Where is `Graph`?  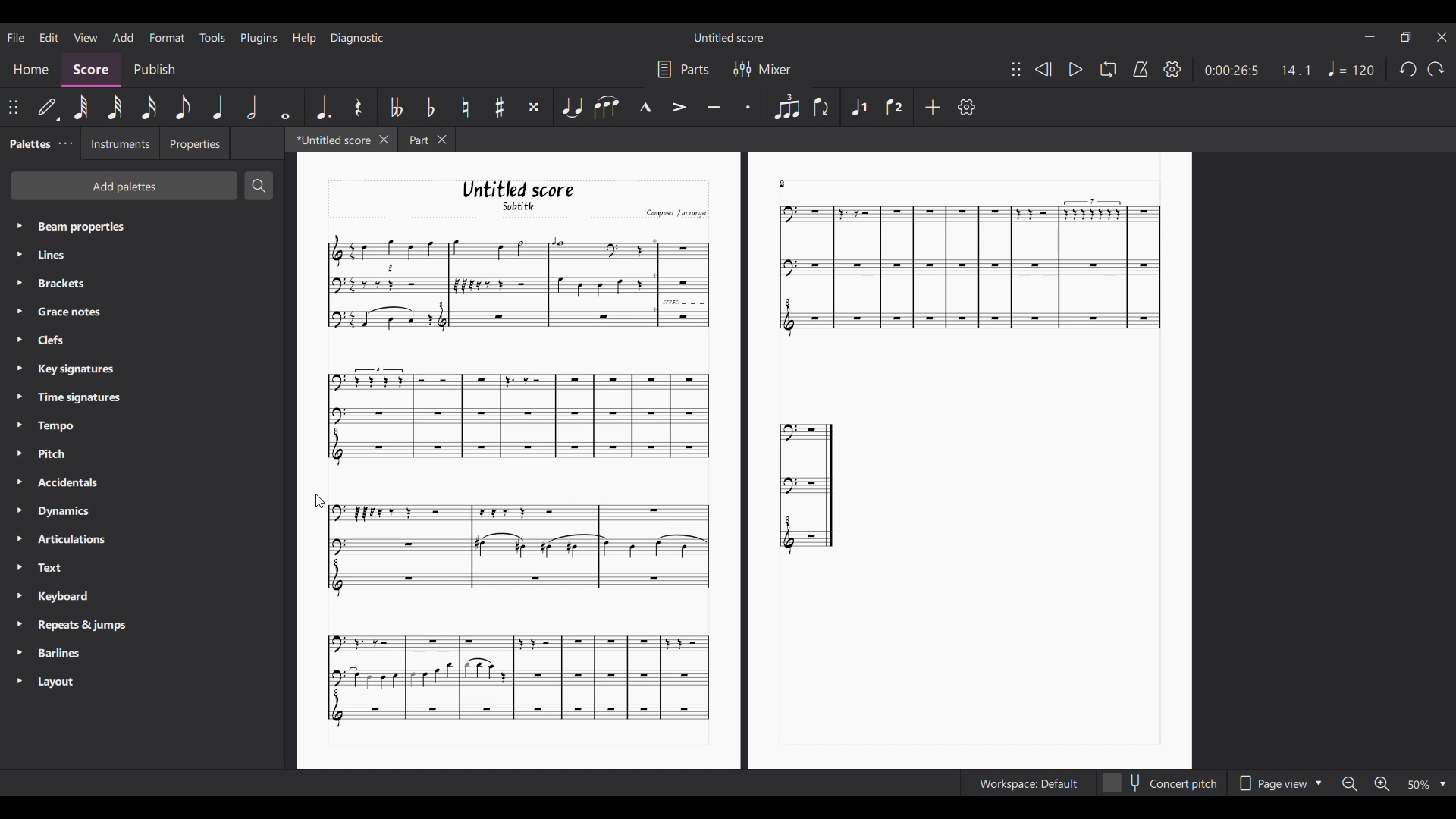
Graph is located at coordinates (516, 679).